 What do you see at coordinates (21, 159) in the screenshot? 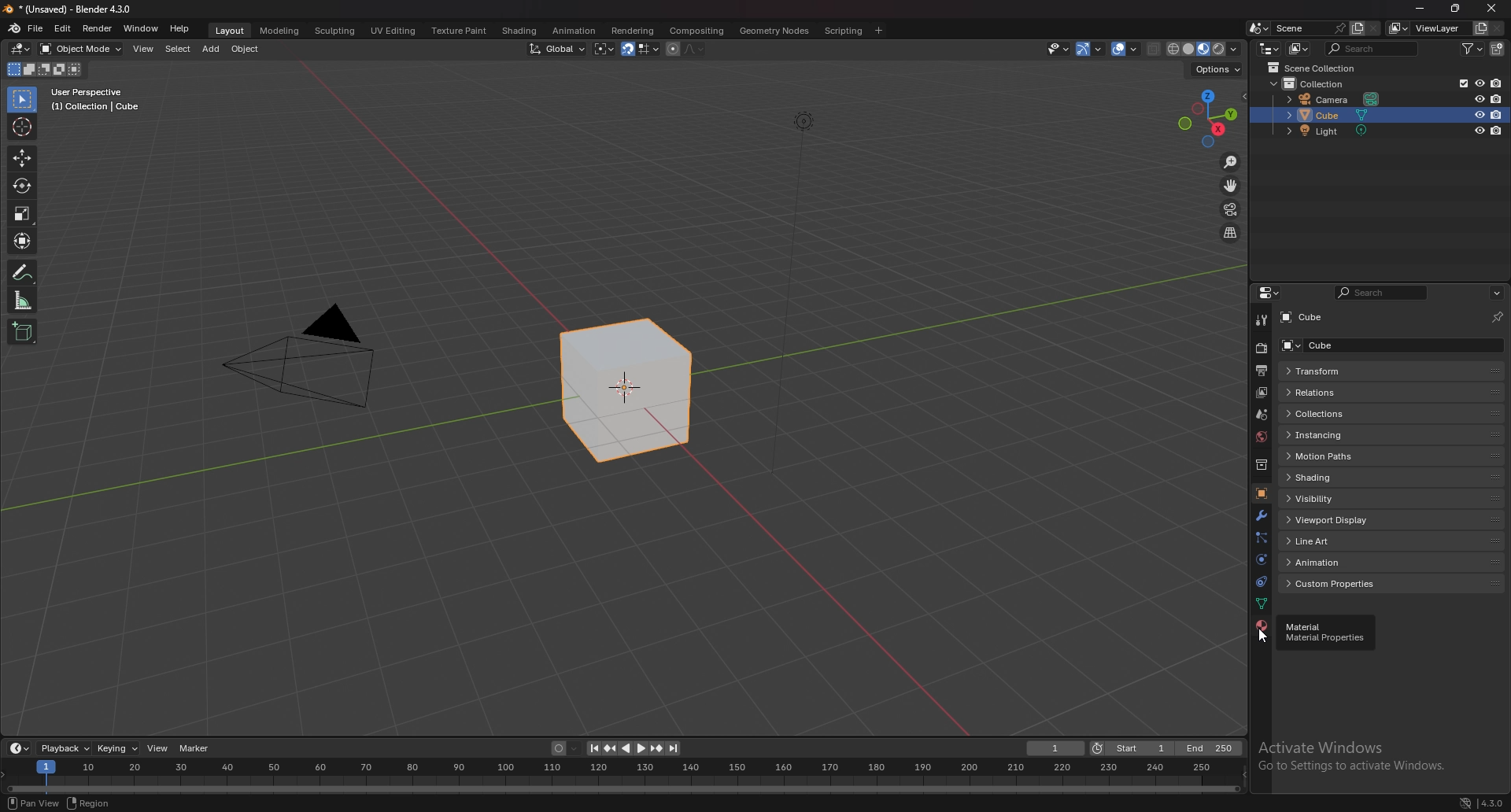
I see `move` at bounding box center [21, 159].